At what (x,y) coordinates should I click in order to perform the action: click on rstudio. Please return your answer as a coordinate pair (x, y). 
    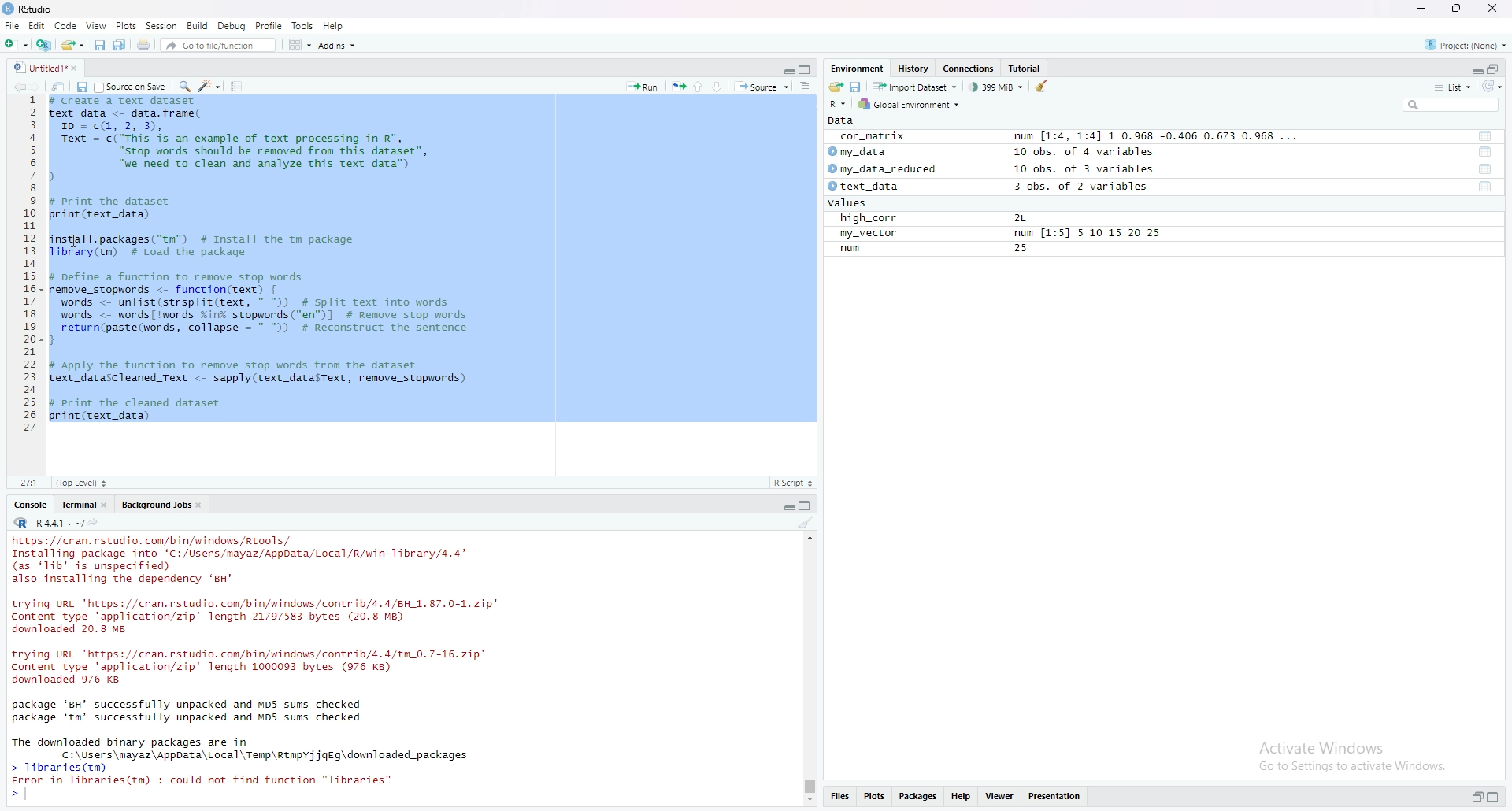
    Looking at the image, I should click on (29, 10).